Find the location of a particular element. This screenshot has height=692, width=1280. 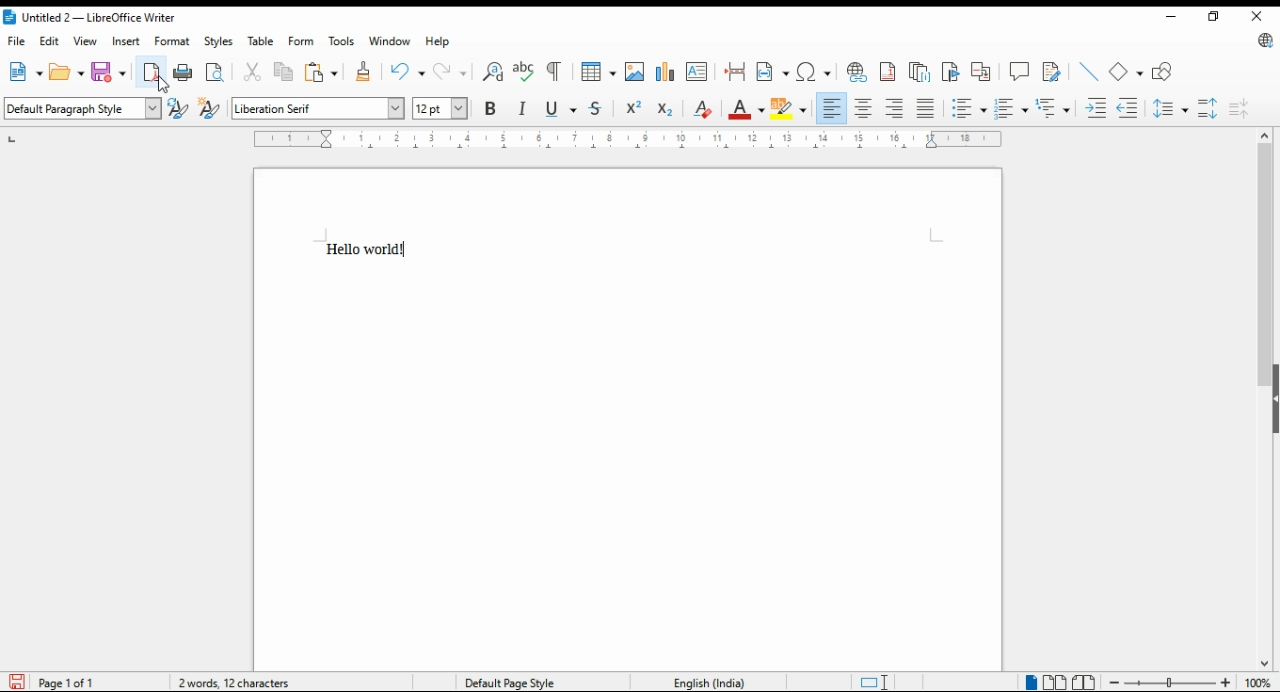

justified is located at coordinates (927, 110).